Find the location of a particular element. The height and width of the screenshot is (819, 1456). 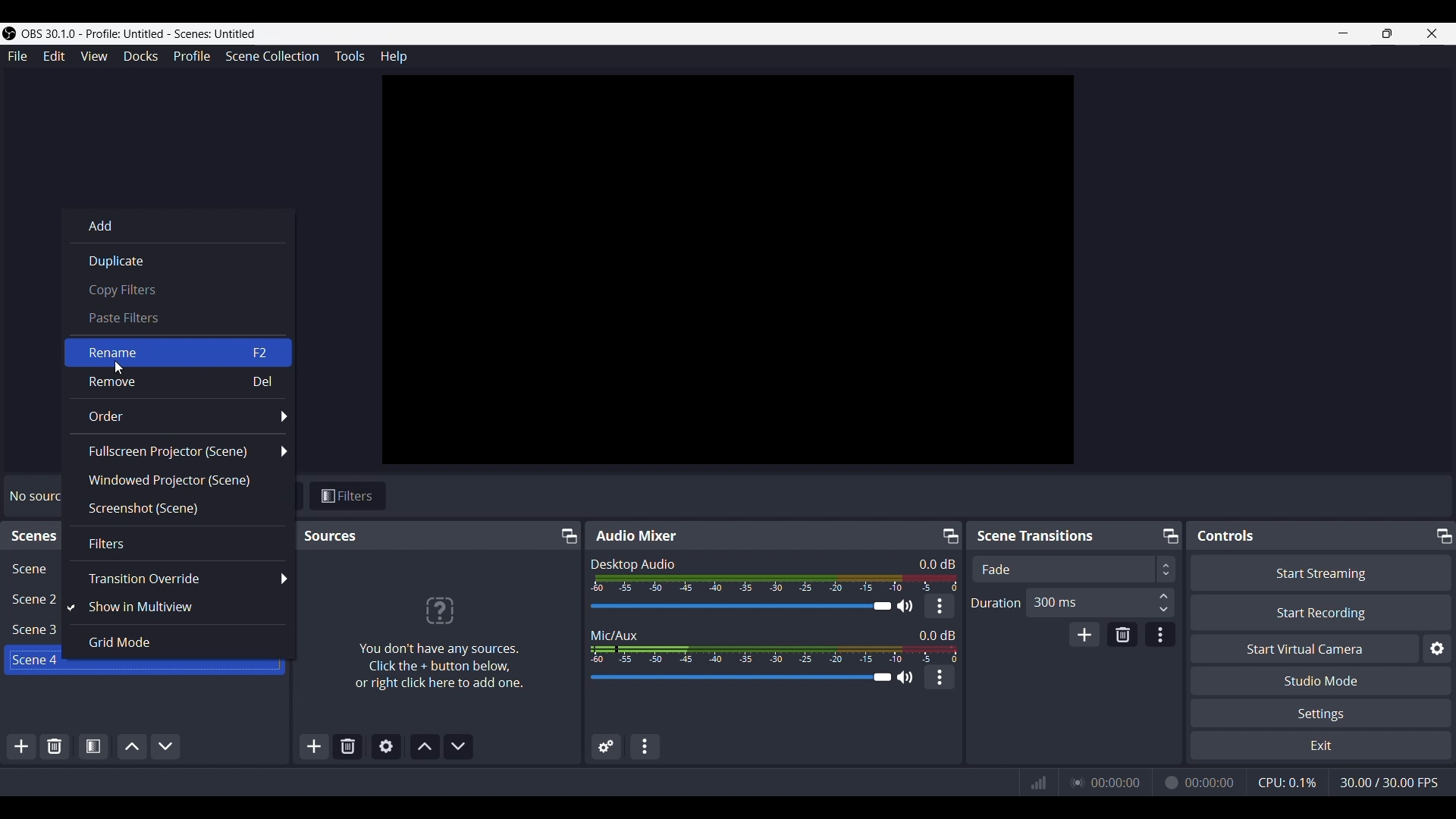

Audio Mixer is located at coordinates (635, 535).